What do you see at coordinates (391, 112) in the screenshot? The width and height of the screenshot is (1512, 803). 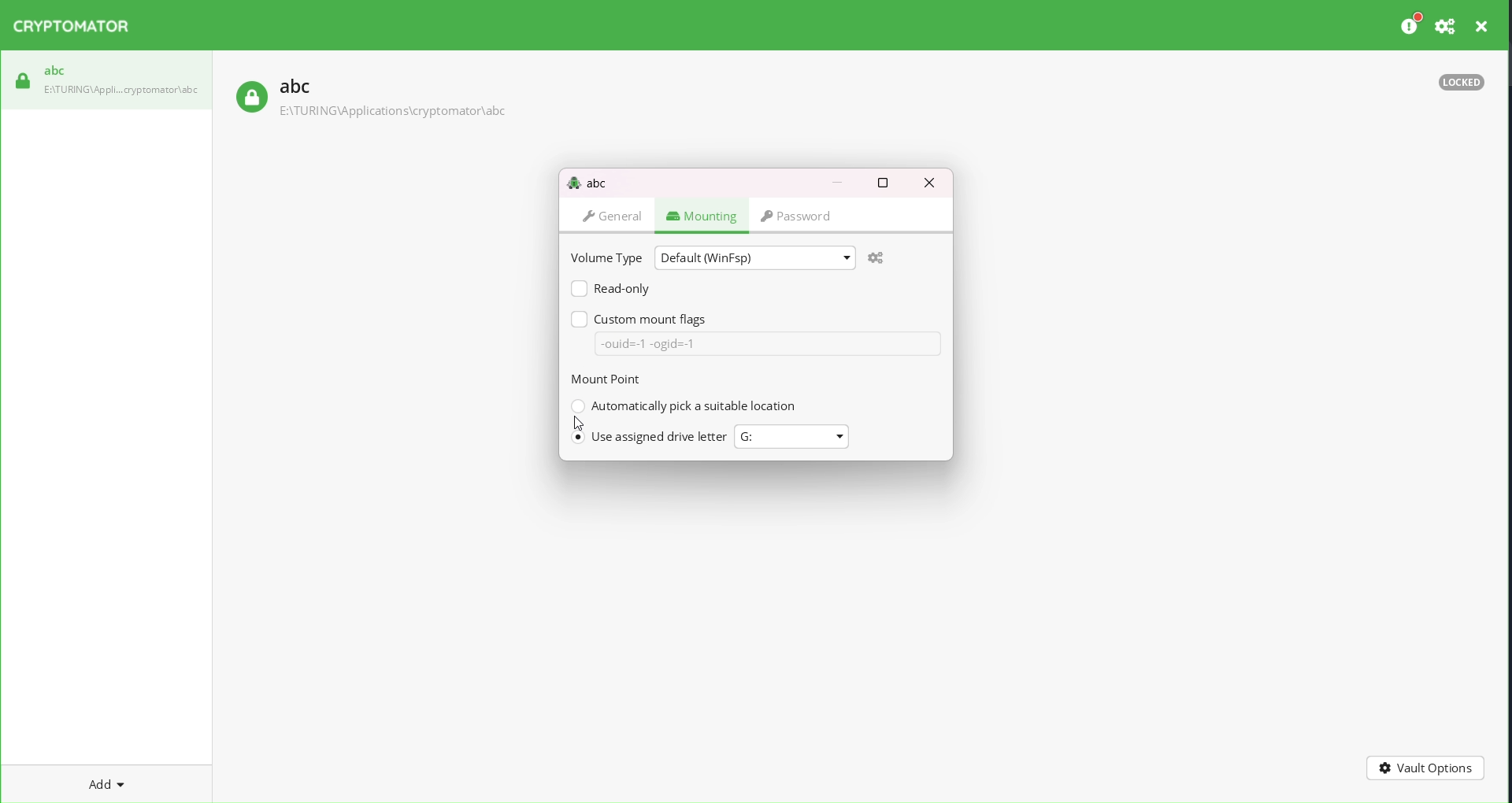 I see `path` at bounding box center [391, 112].